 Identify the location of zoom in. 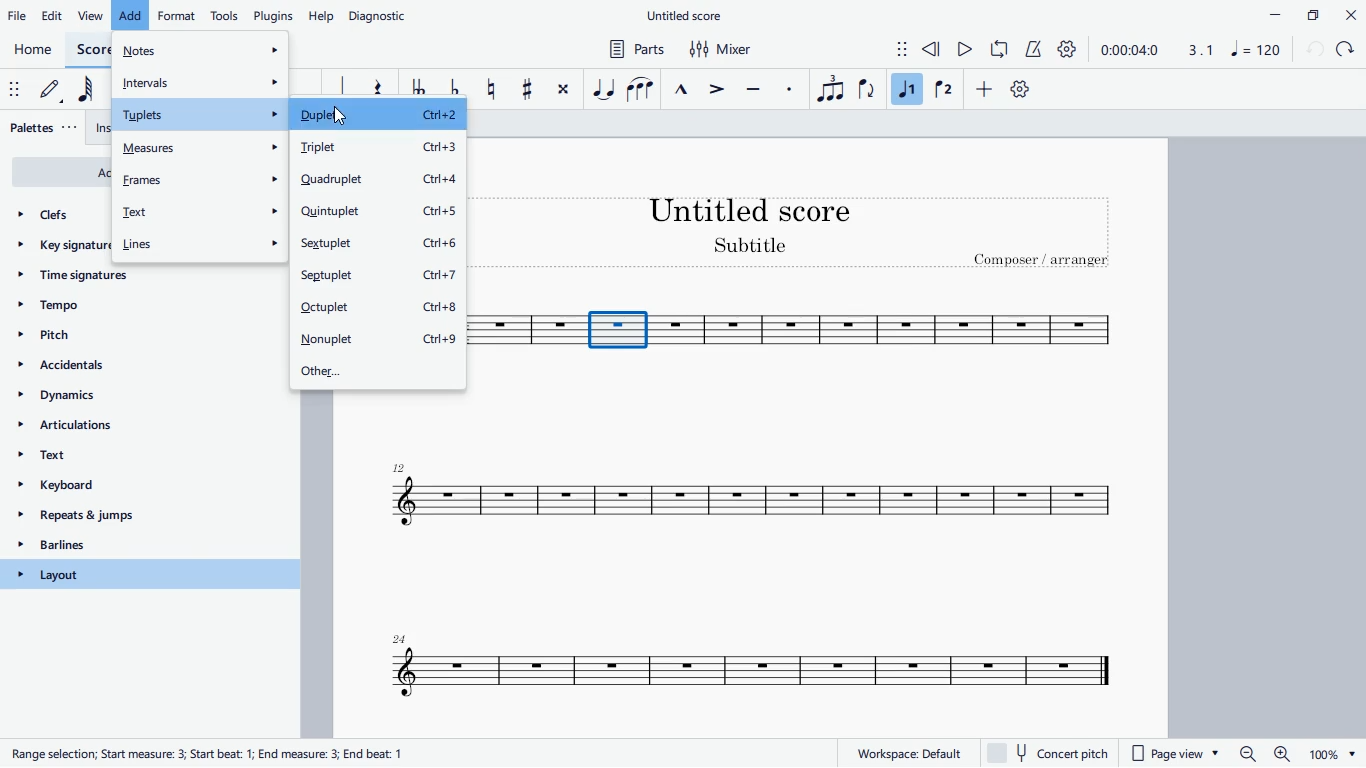
(1280, 754).